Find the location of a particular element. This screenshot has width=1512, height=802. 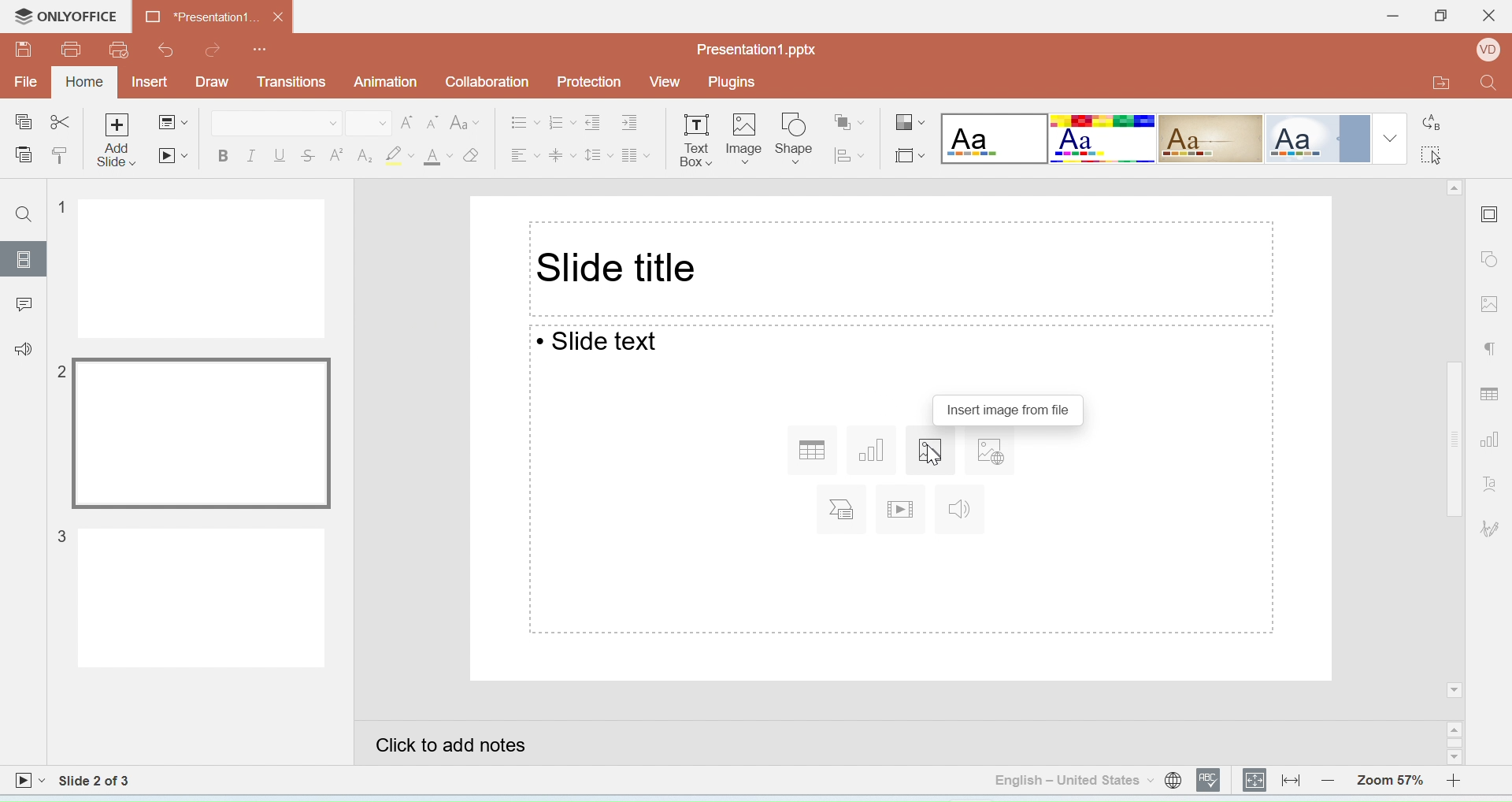

insert image from file pop up is located at coordinates (1010, 410).